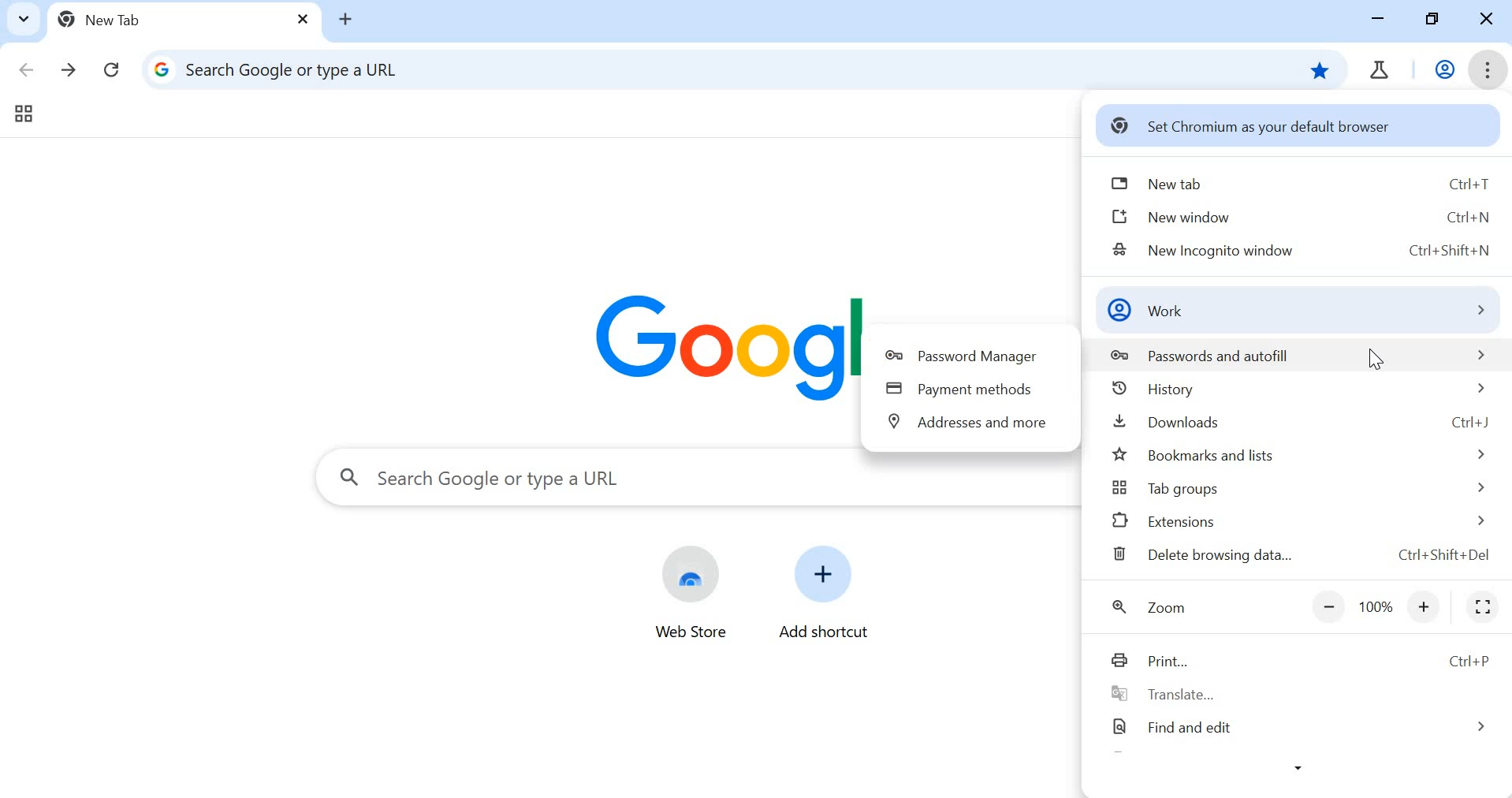 The image size is (1512, 798). Describe the element at coordinates (1299, 390) in the screenshot. I see `history` at that location.